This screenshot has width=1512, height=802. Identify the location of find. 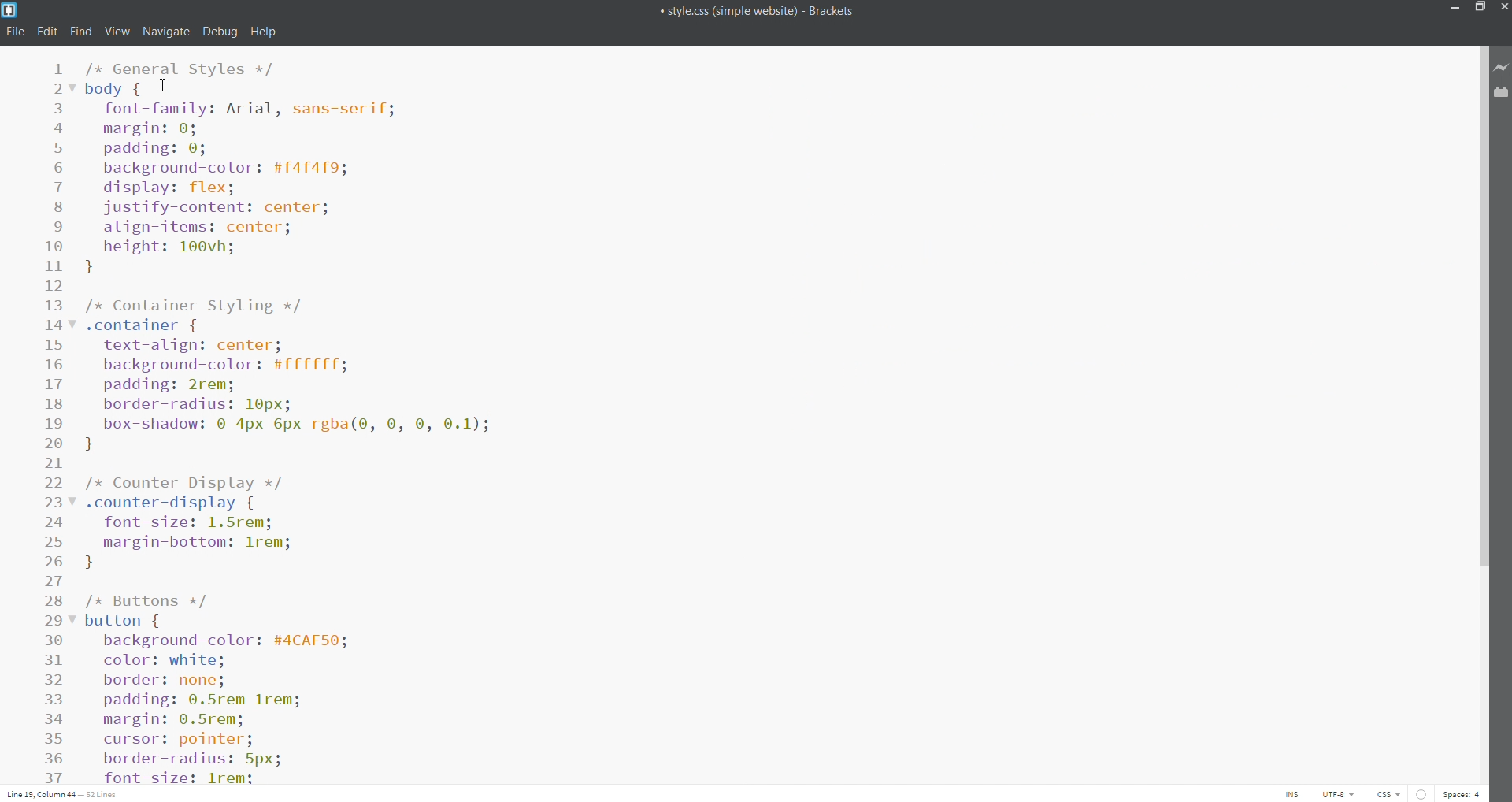
(80, 31).